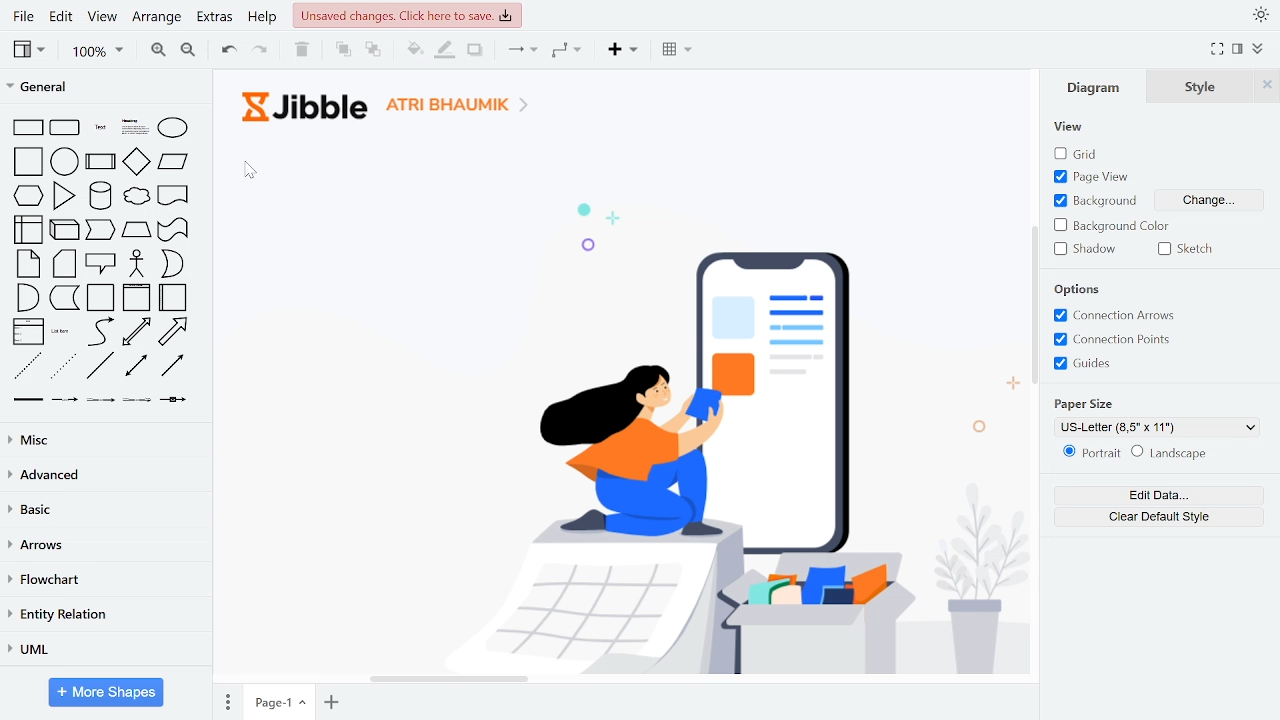  Describe the element at coordinates (28, 262) in the screenshot. I see `general shapes` at that location.